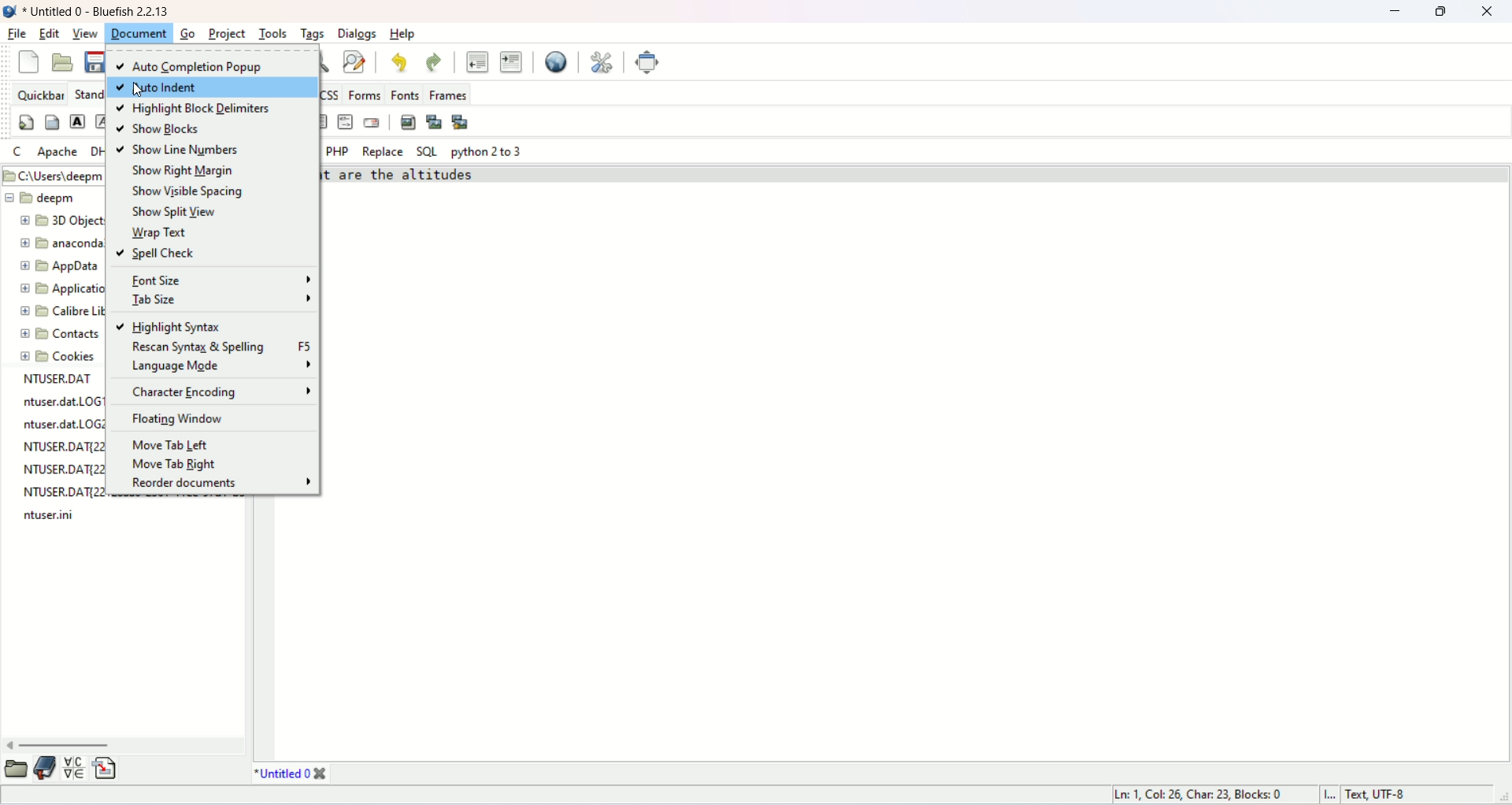 This screenshot has width=1512, height=805. Describe the element at coordinates (333, 93) in the screenshot. I see `CSS` at that location.